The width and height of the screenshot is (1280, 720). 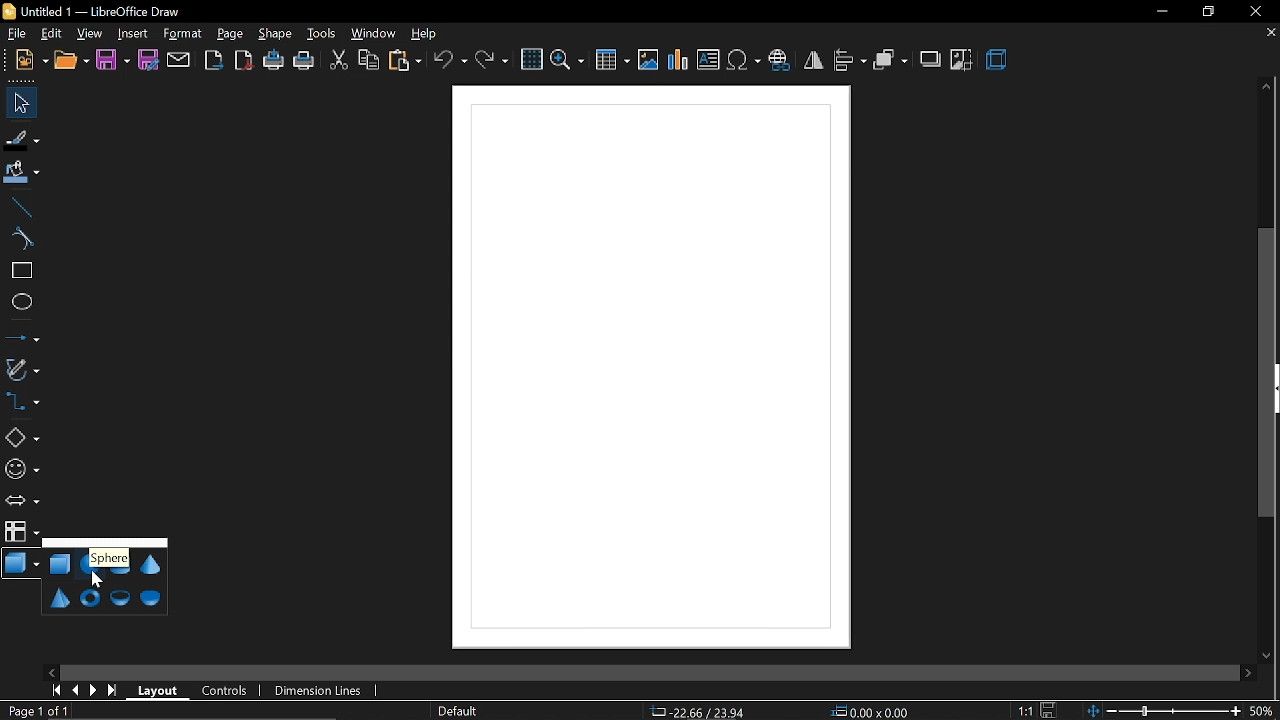 I want to click on 0.00x0.00, so click(x=874, y=712).